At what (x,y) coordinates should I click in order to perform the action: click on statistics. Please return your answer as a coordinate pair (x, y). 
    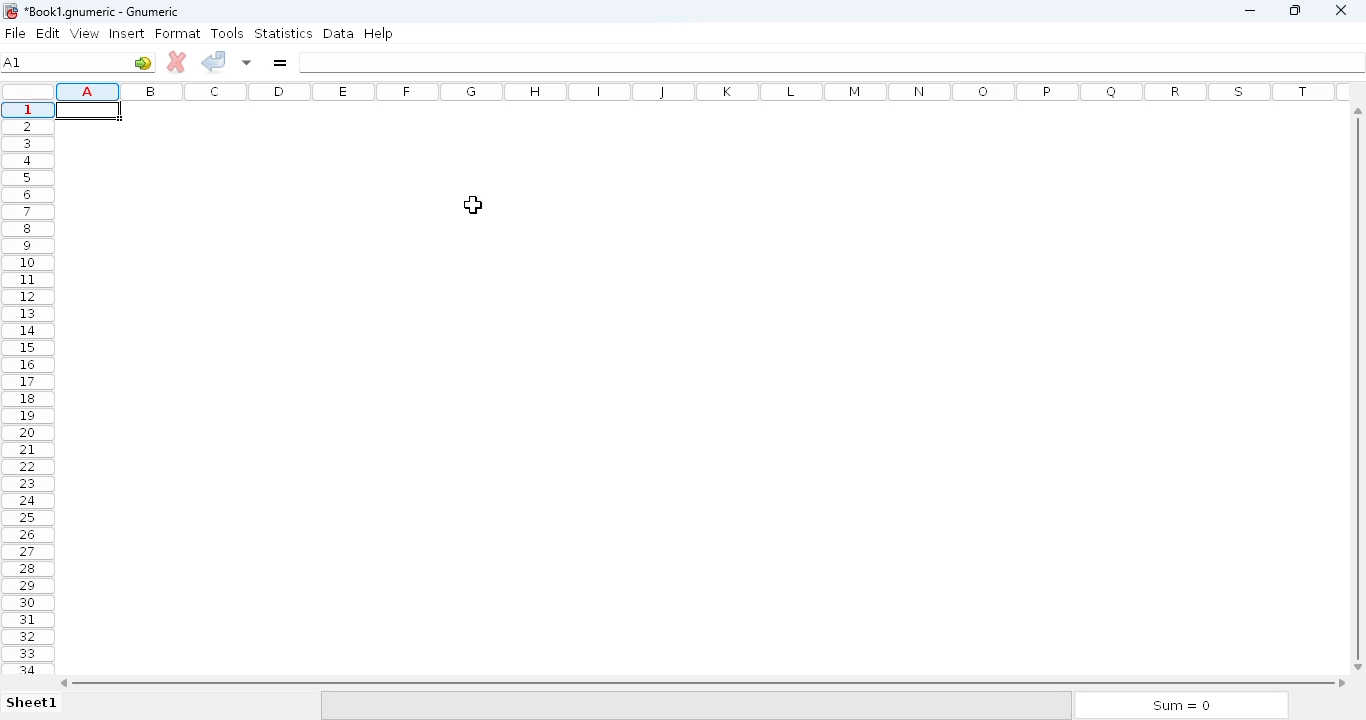
    Looking at the image, I should click on (283, 32).